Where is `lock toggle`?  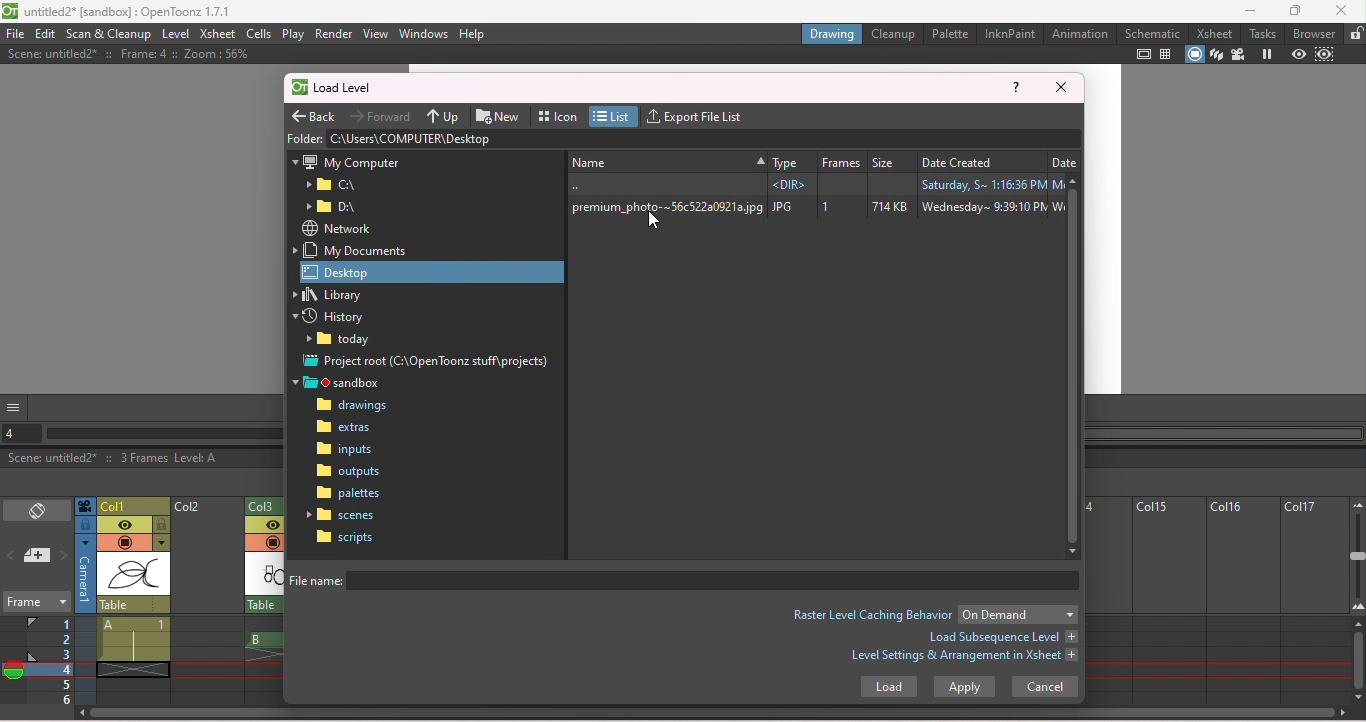 lock toggle is located at coordinates (162, 525).